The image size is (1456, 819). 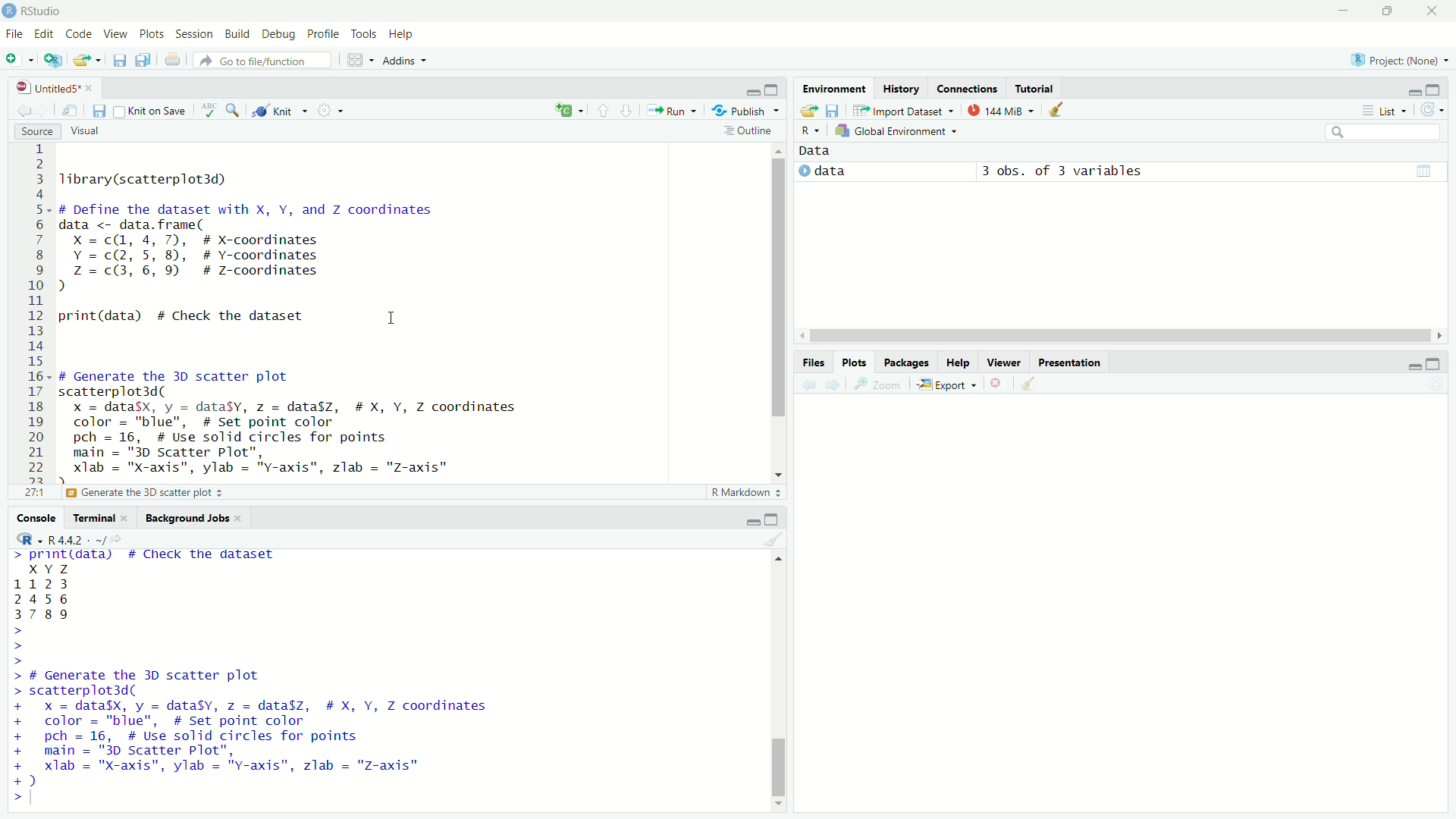 What do you see at coordinates (1341, 11) in the screenshot?
I see `minimize` at bounding box center [1341, 11].